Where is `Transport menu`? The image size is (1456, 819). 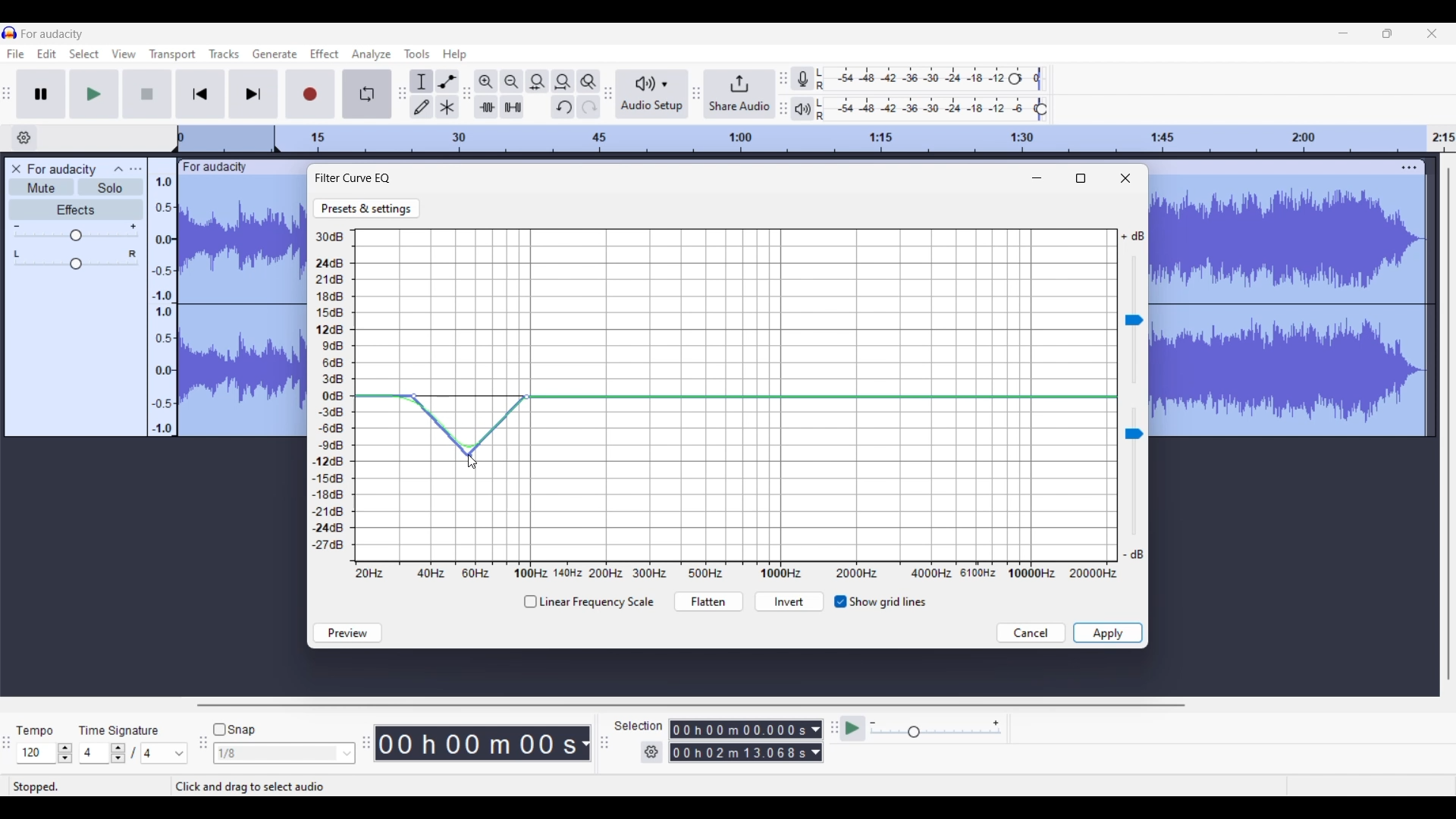 Transport menu is located at coordinates (172, 55).